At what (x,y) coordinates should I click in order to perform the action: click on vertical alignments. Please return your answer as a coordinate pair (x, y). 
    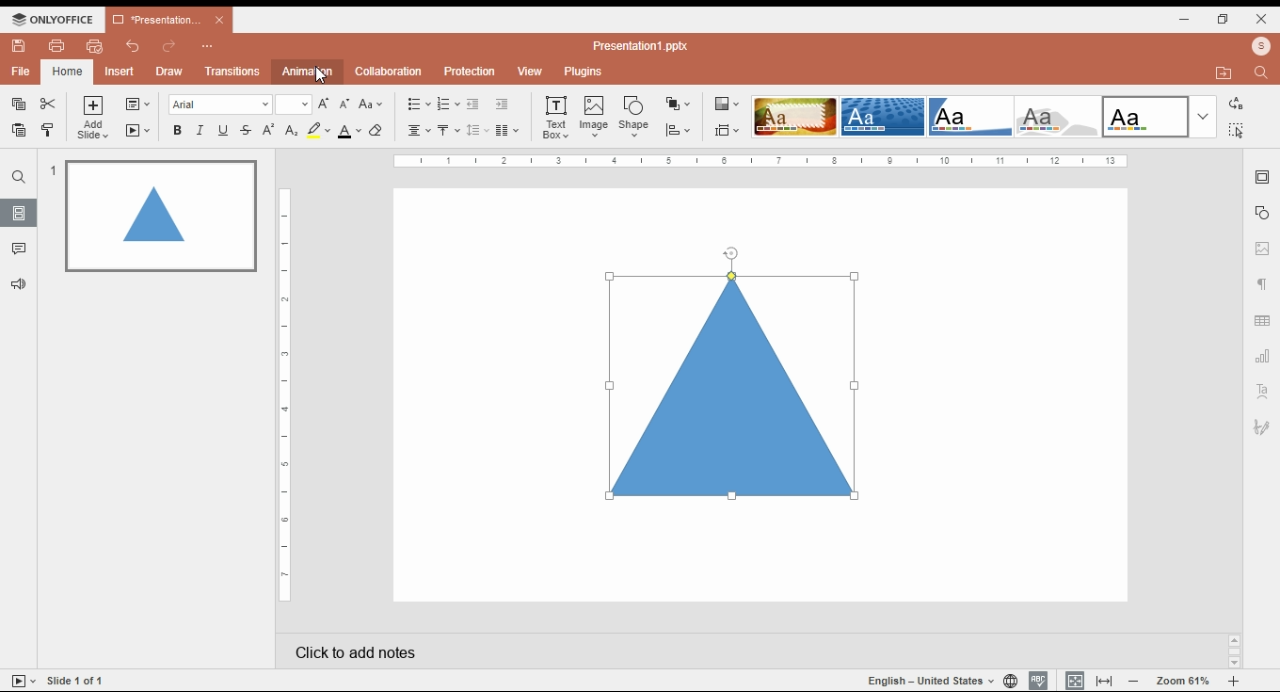
    Looking at the image, I should click on (448, 129).